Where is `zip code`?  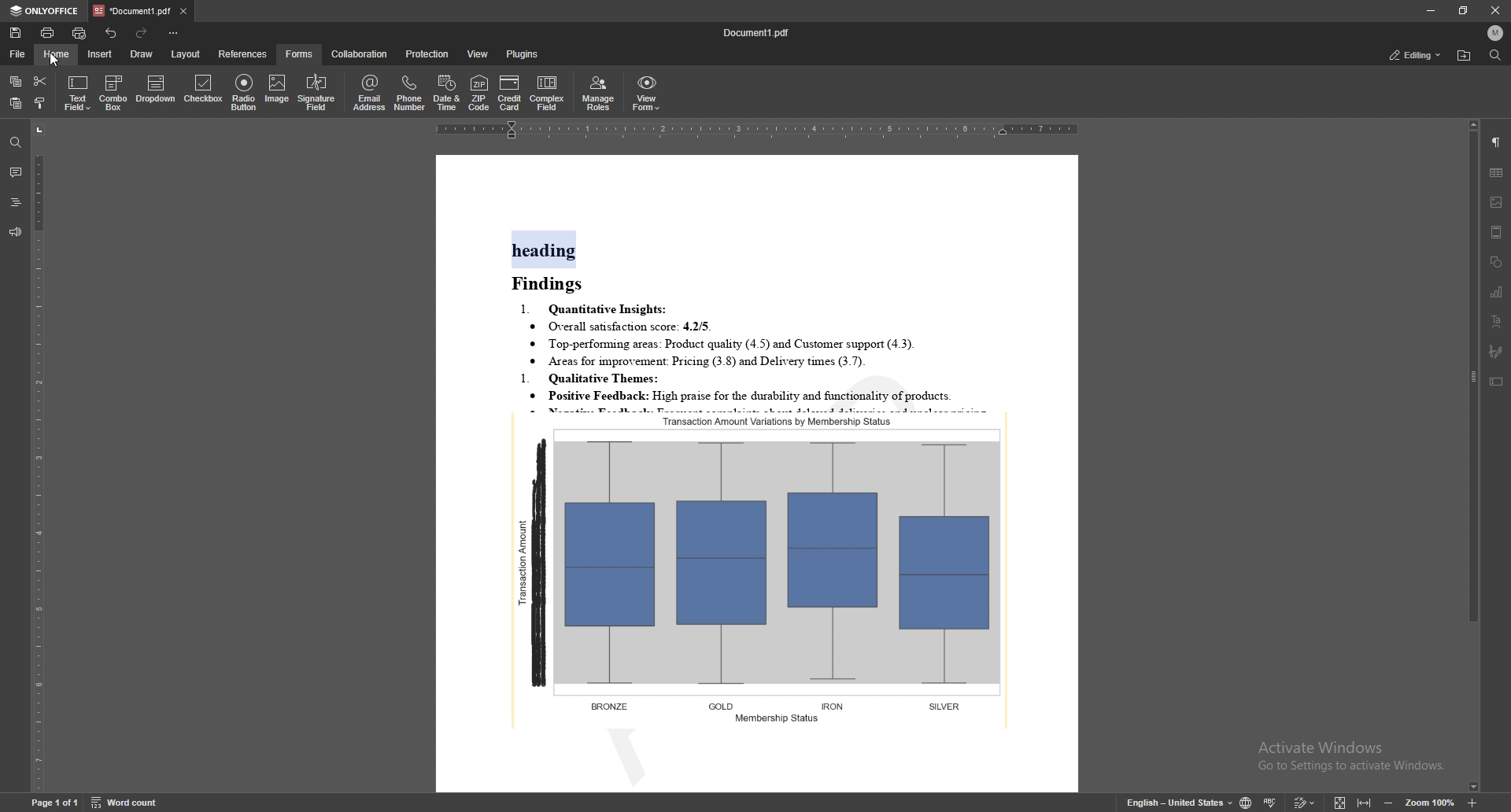 zip code is located at coordinates (479, 94).